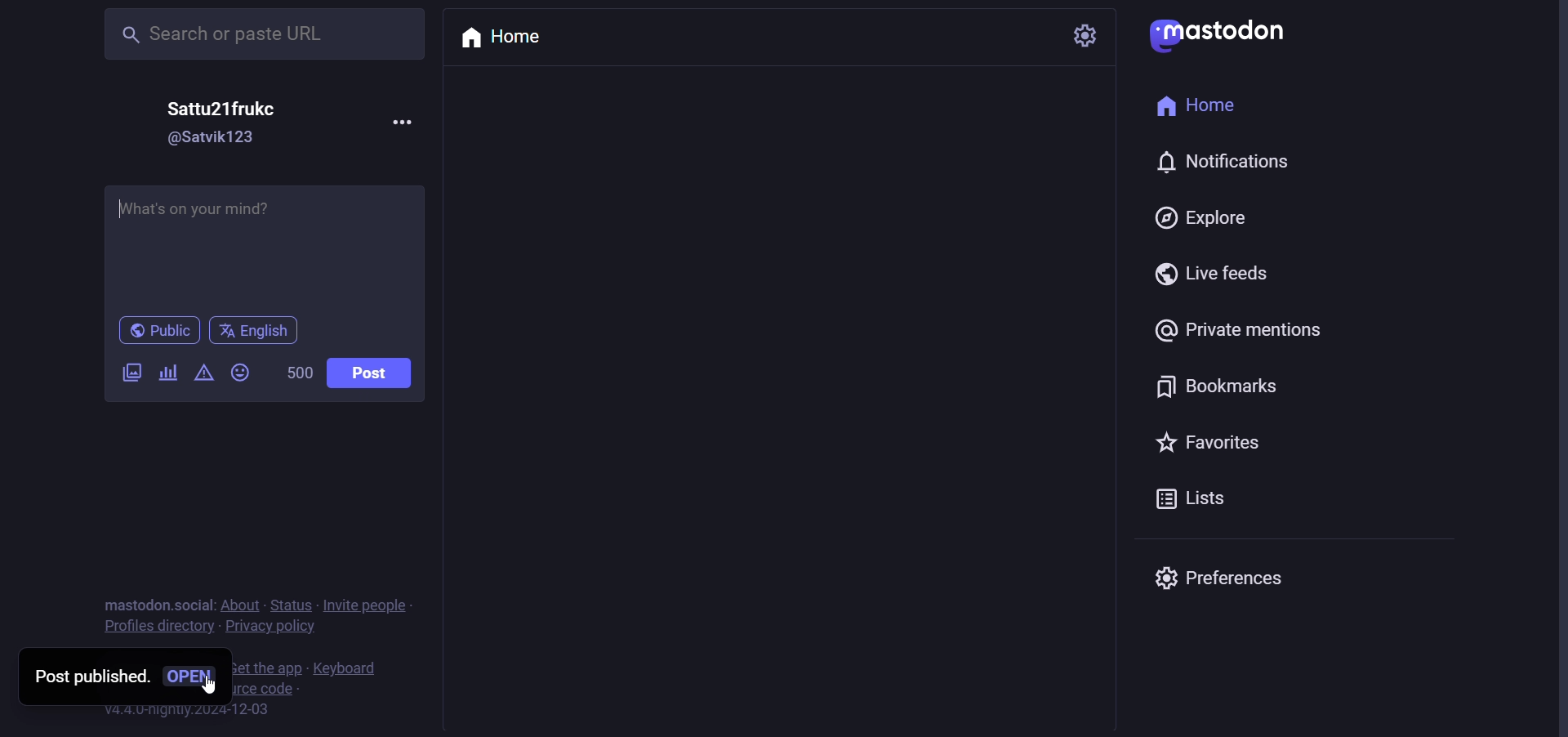  Describe the element at coordinates (370, 375) in the screenshot. I see `post` at that location.